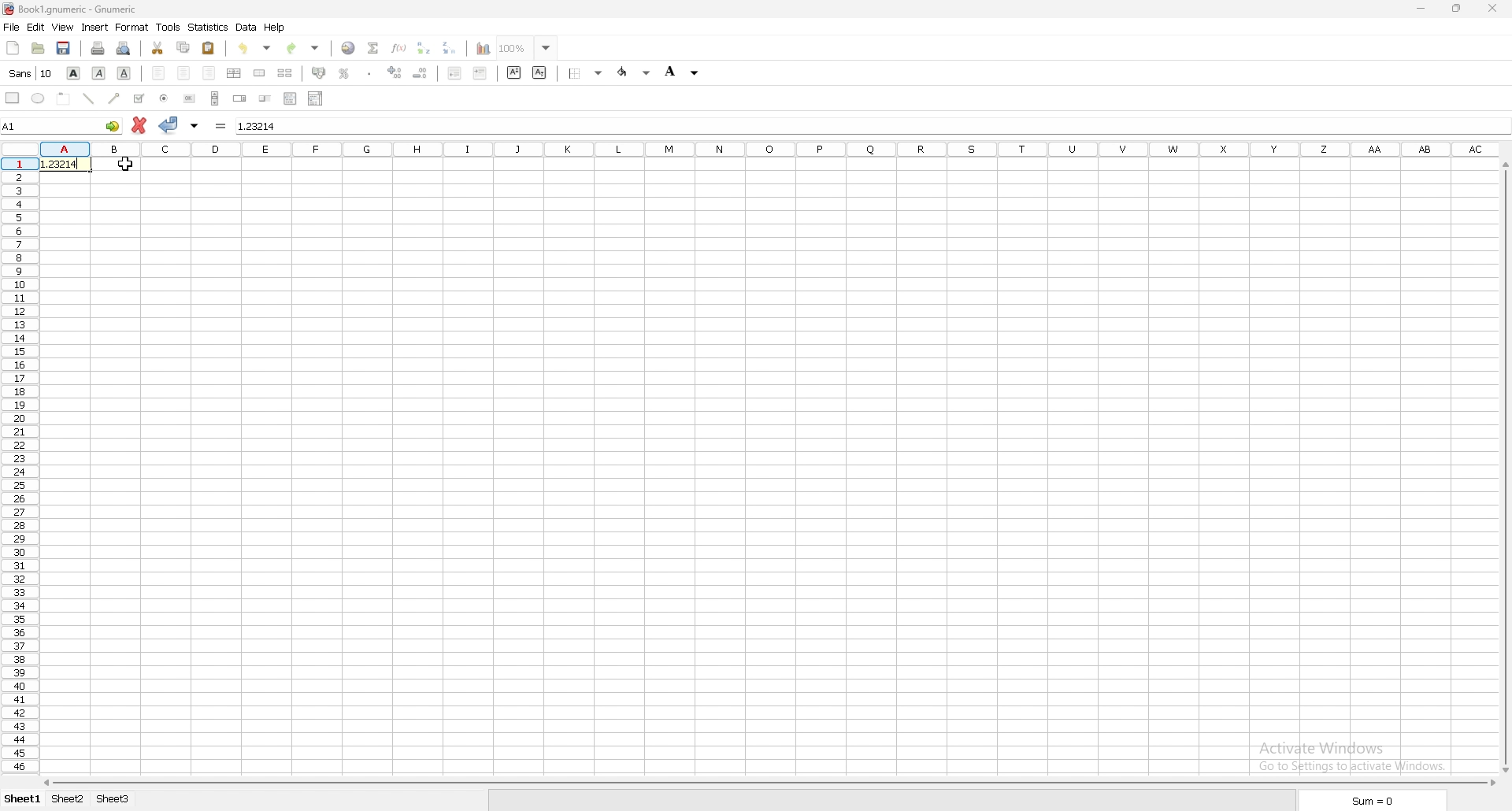 The width and height of the screenshot is (1512, 811). I want to click on superscript, so click(515, 73).